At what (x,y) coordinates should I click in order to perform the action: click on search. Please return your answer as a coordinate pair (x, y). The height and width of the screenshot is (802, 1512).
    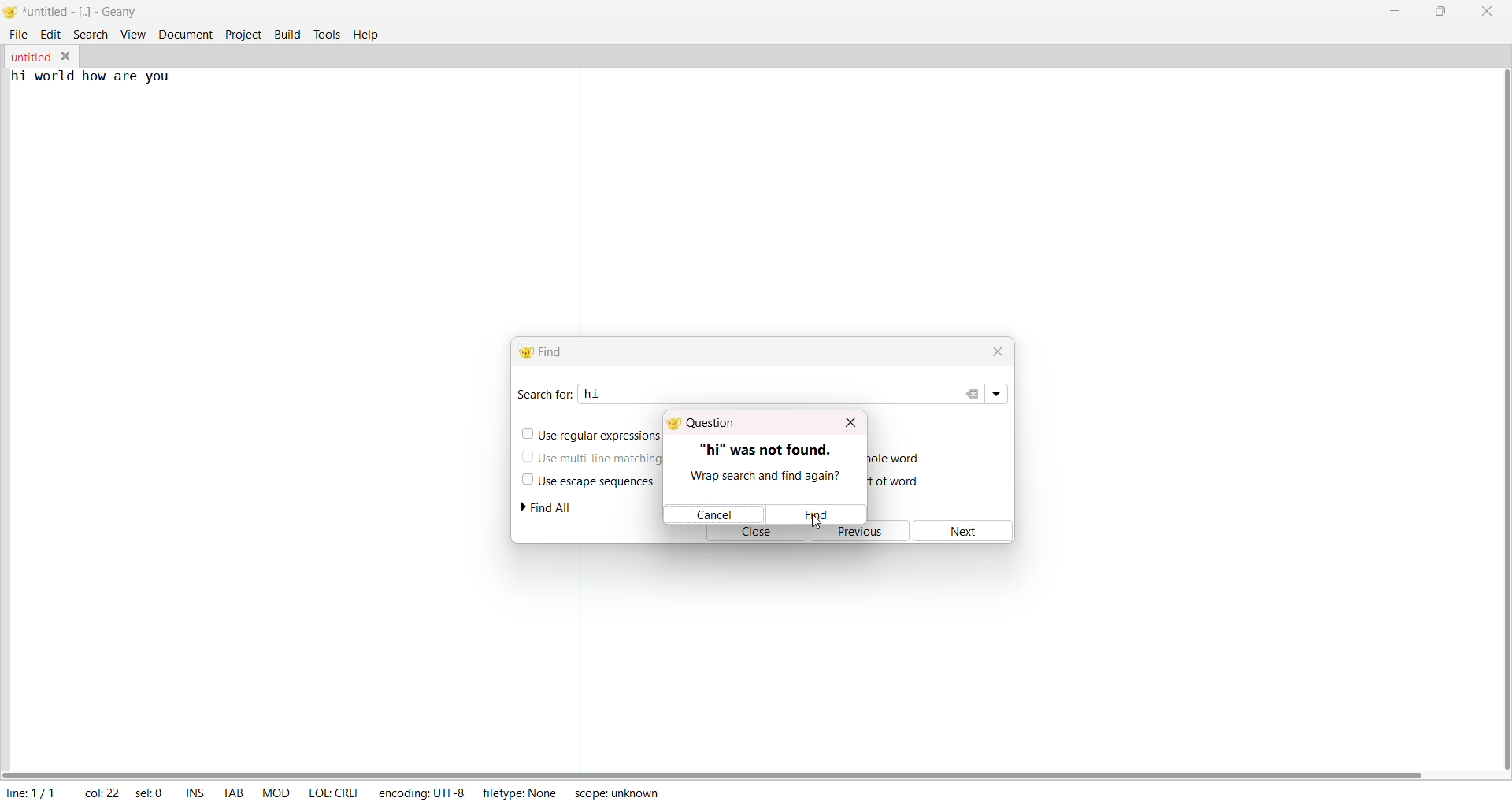
    Looking at the image, I should click on (90, 33).